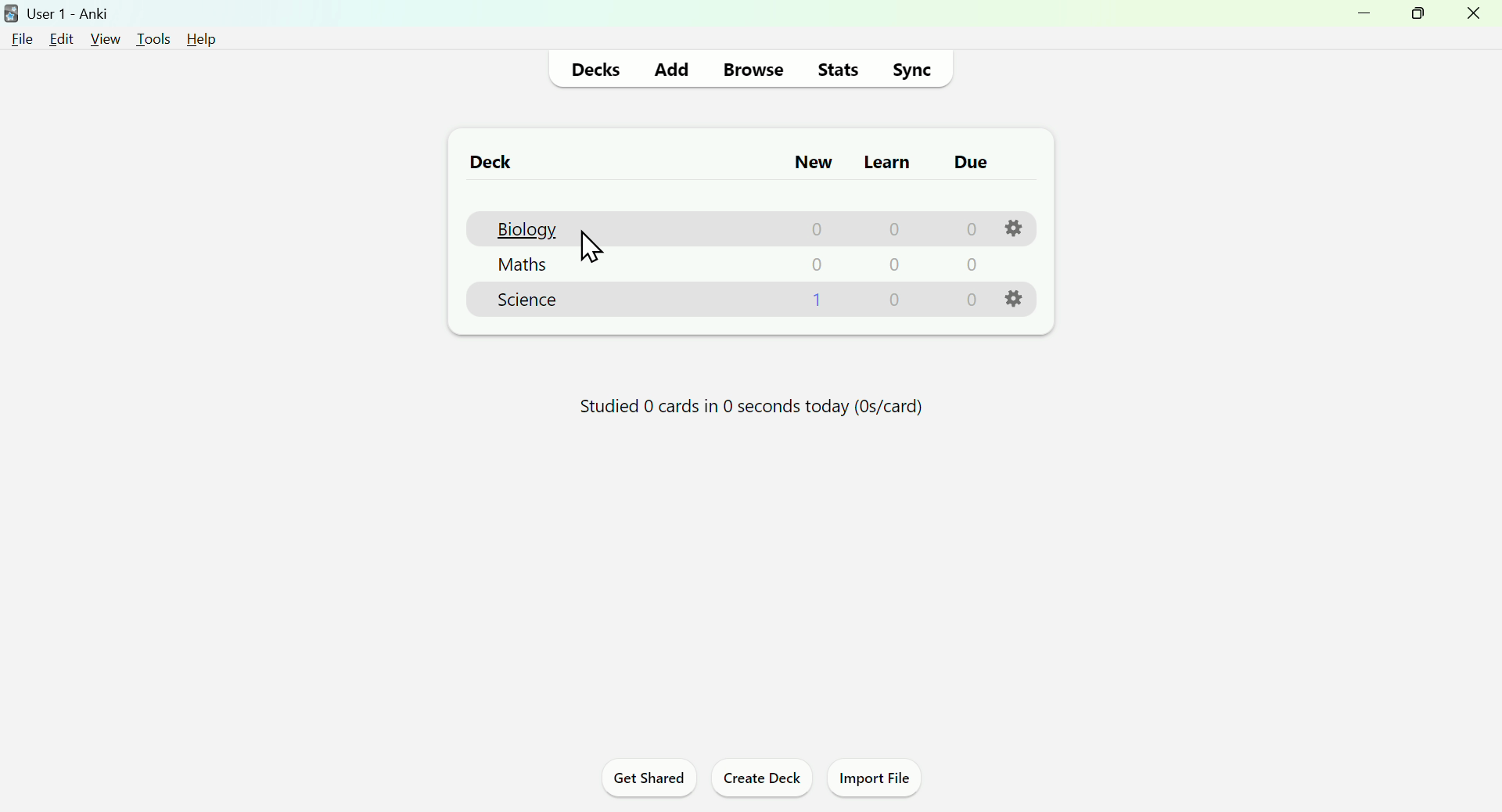  Describe the element at coordinates (598, 254) in the screenshot. I see `Cursor` at that location.